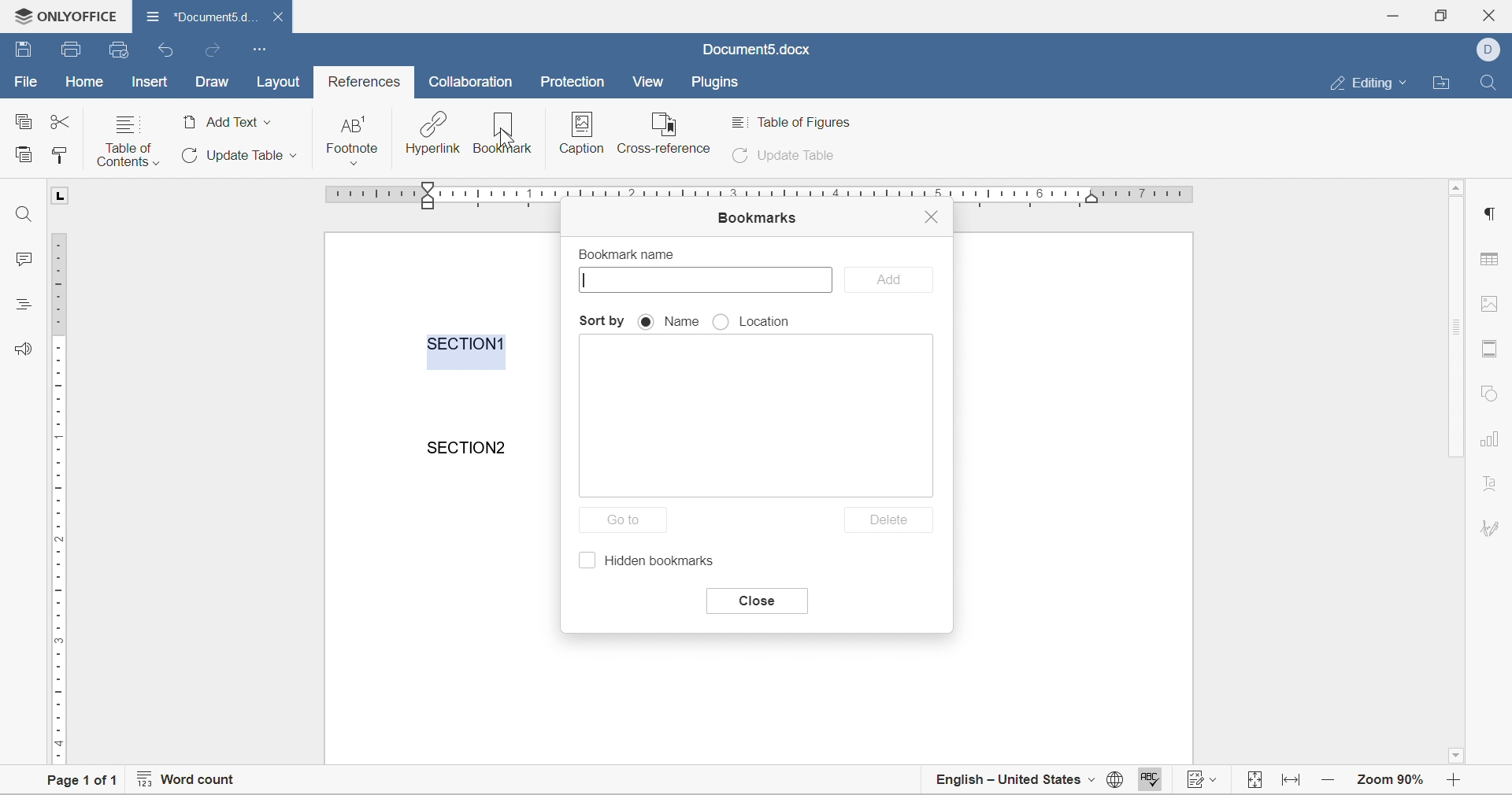 The height and width of the screenshot is (795, 1512). I want to click on open file location, so click(1444, 83).